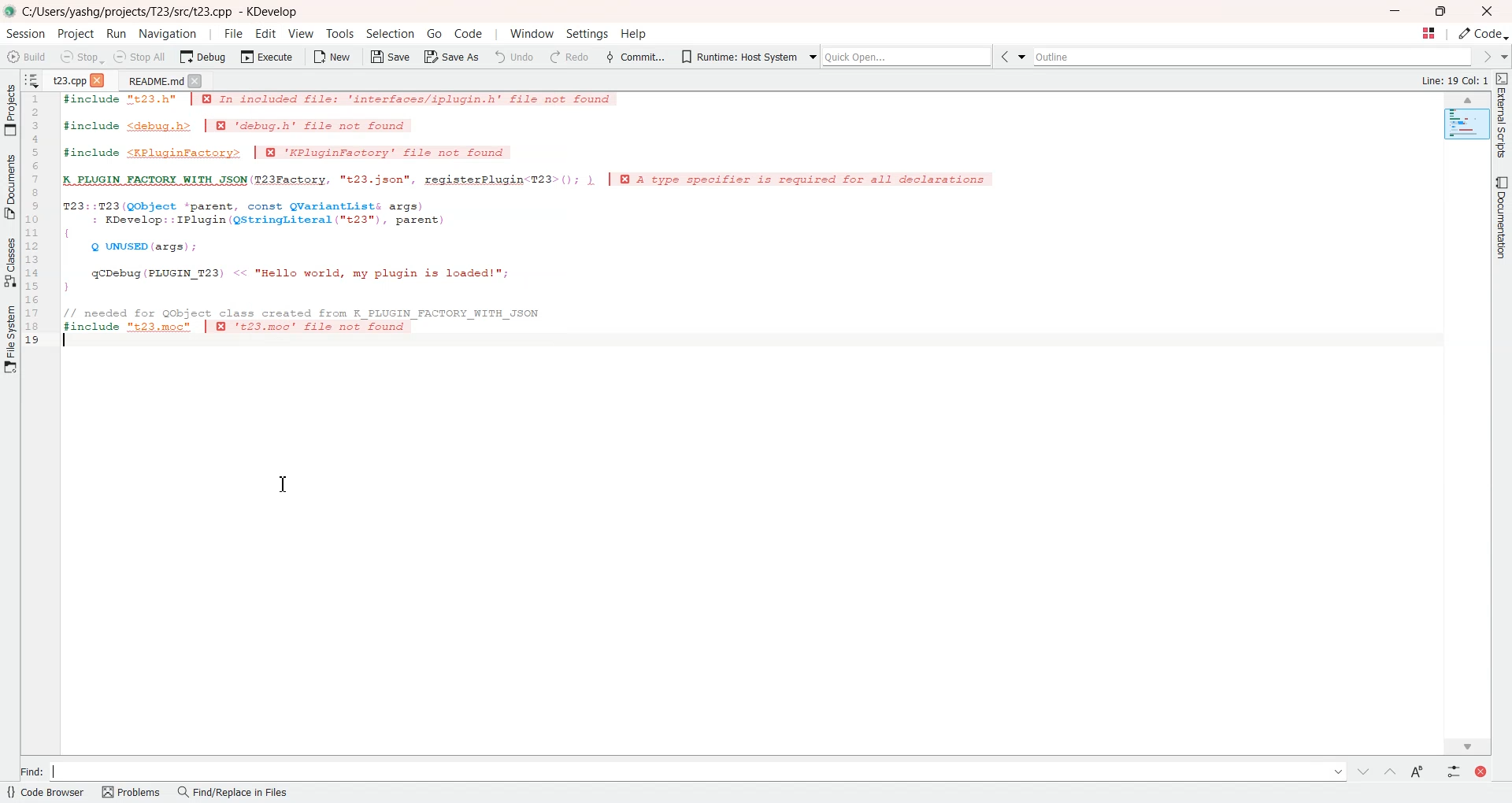 This screenshot has width=1512, height=803. I want to click on Close, so click(196, 80).